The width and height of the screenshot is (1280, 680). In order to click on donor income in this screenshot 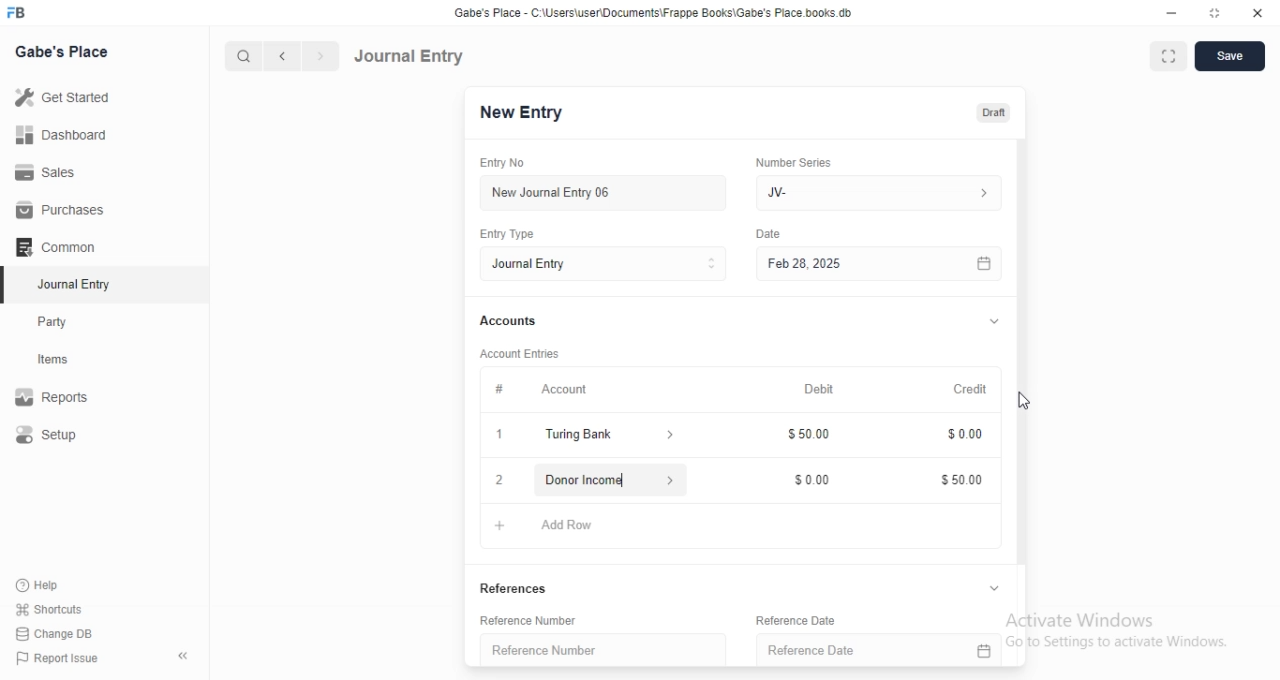, I will do `click(602, 478)`.